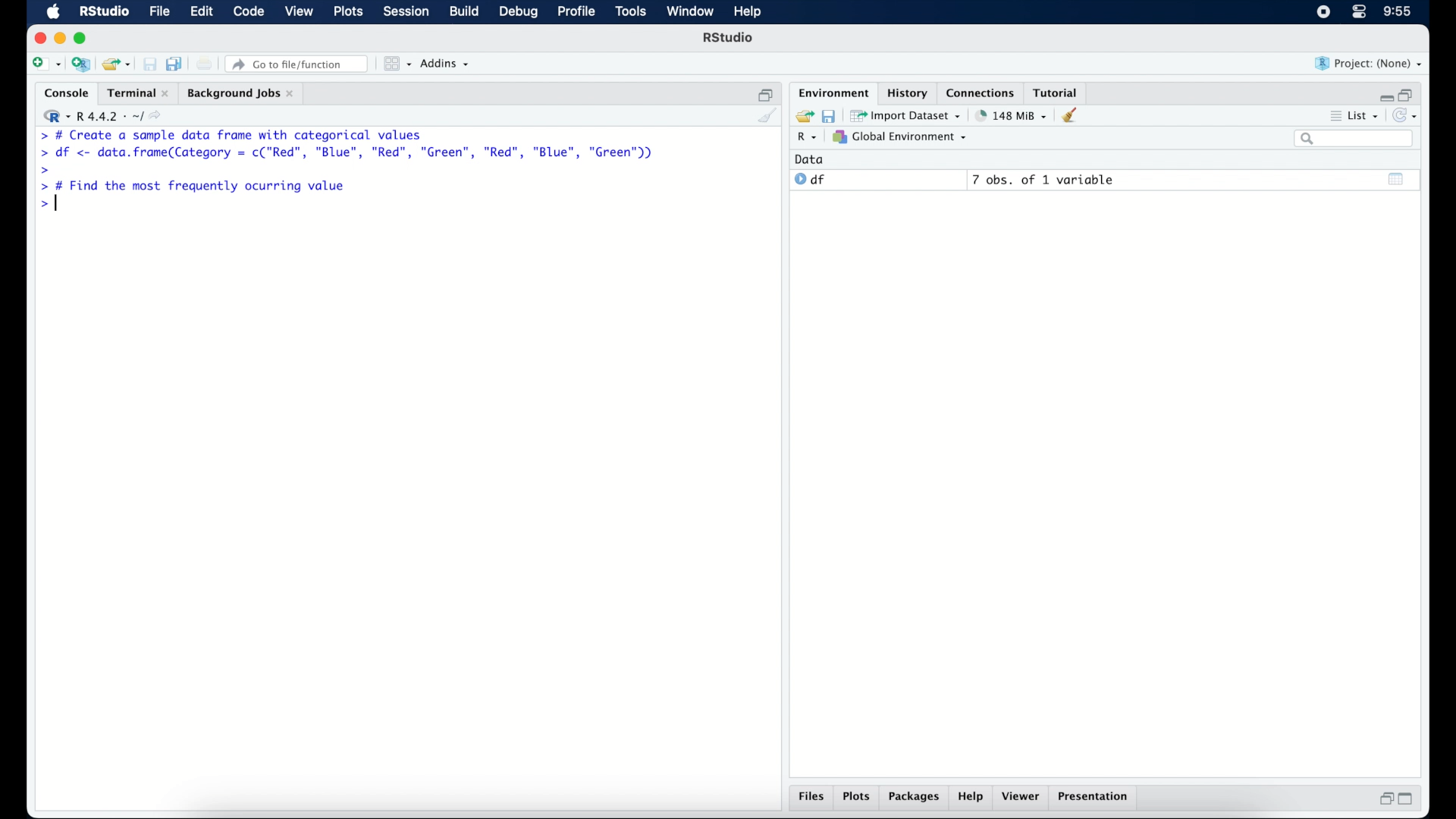 This screenshot has width=1456, height=819. Describe the element at coordinates (202, 12) in the screenshot. I see `edit` at that location.